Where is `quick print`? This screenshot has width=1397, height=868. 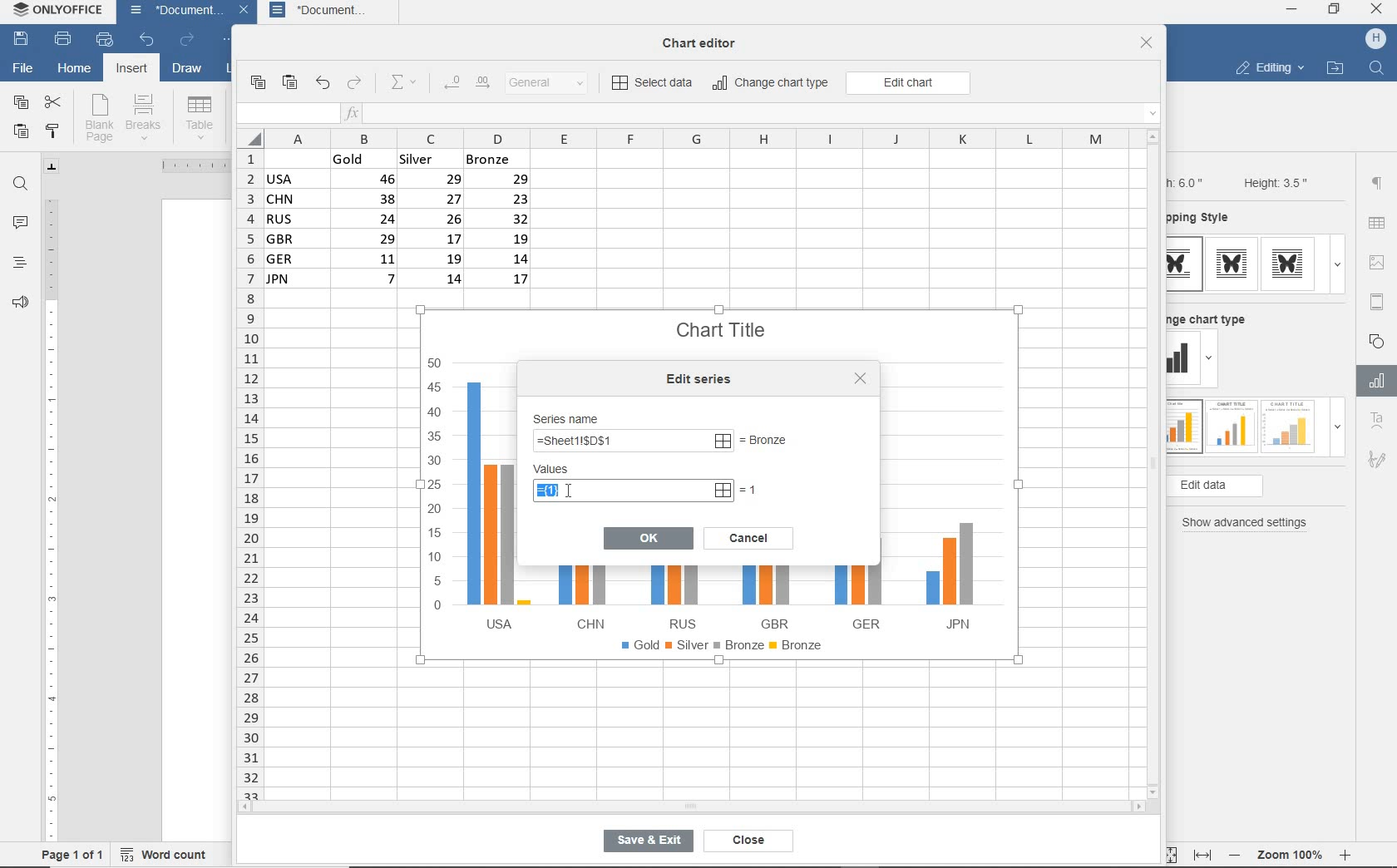 quick print is located at coordinates (103, 40).